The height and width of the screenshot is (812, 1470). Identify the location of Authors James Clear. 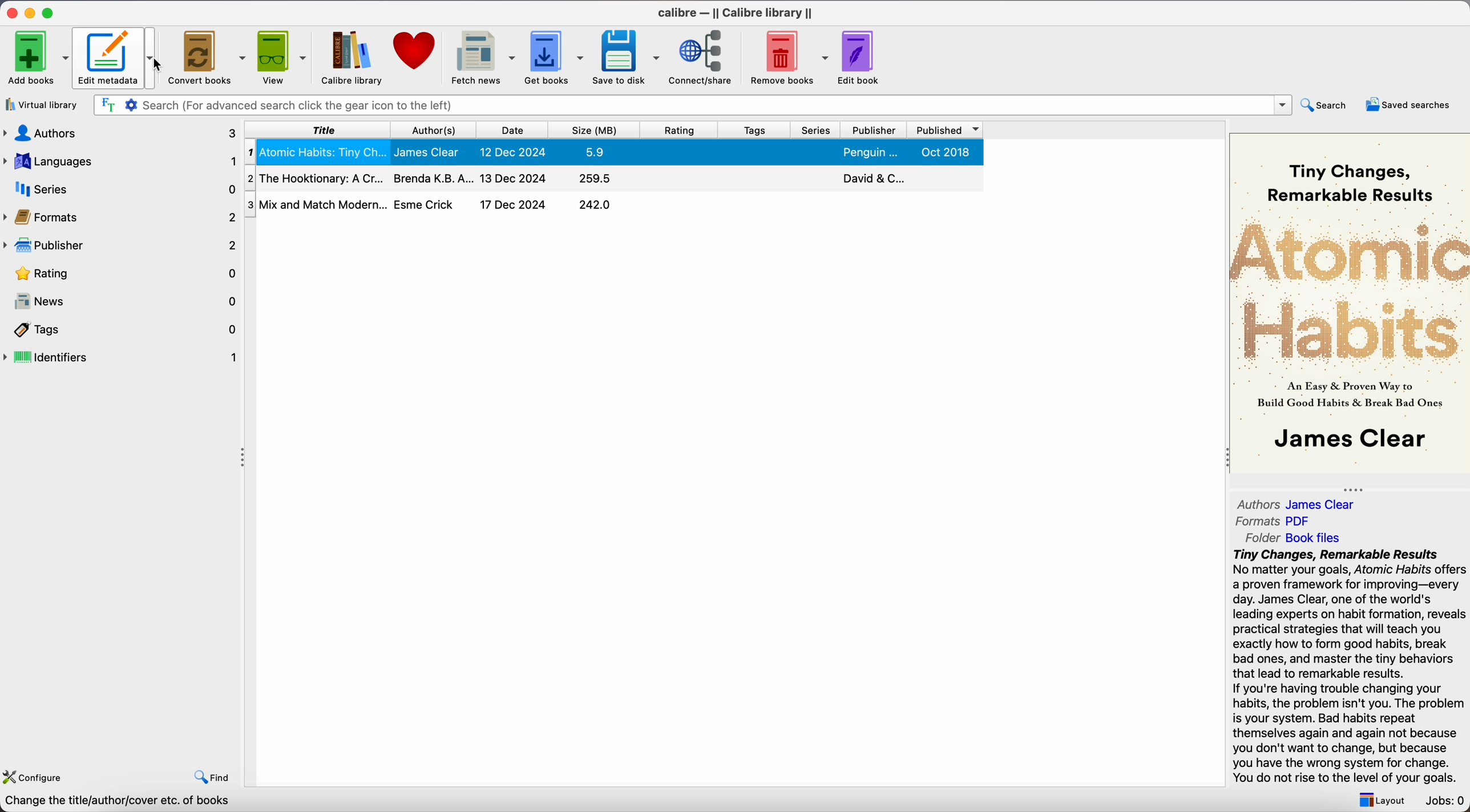
(1299, 503).